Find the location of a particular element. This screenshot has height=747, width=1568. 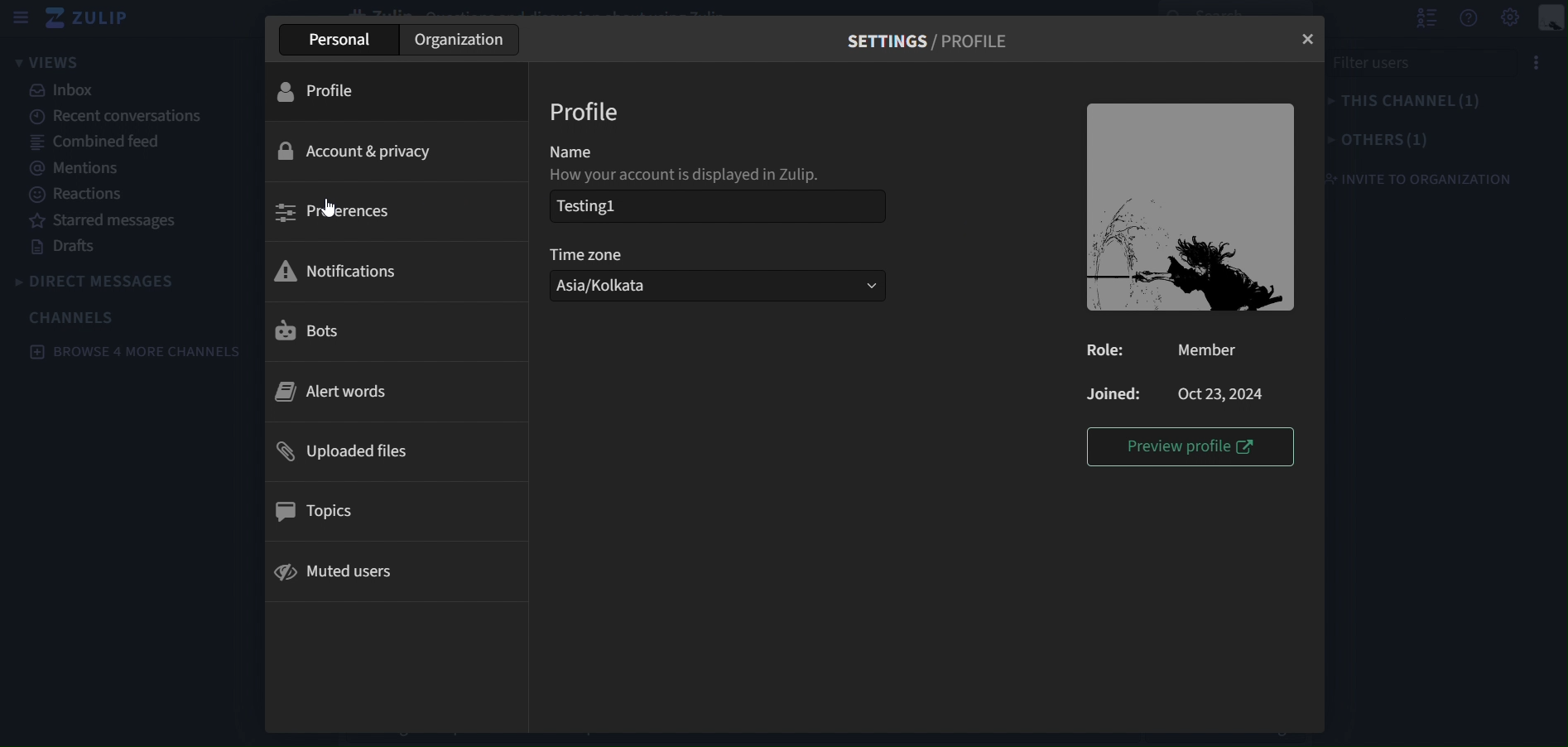

drop down is located at coordinates (860, 287).